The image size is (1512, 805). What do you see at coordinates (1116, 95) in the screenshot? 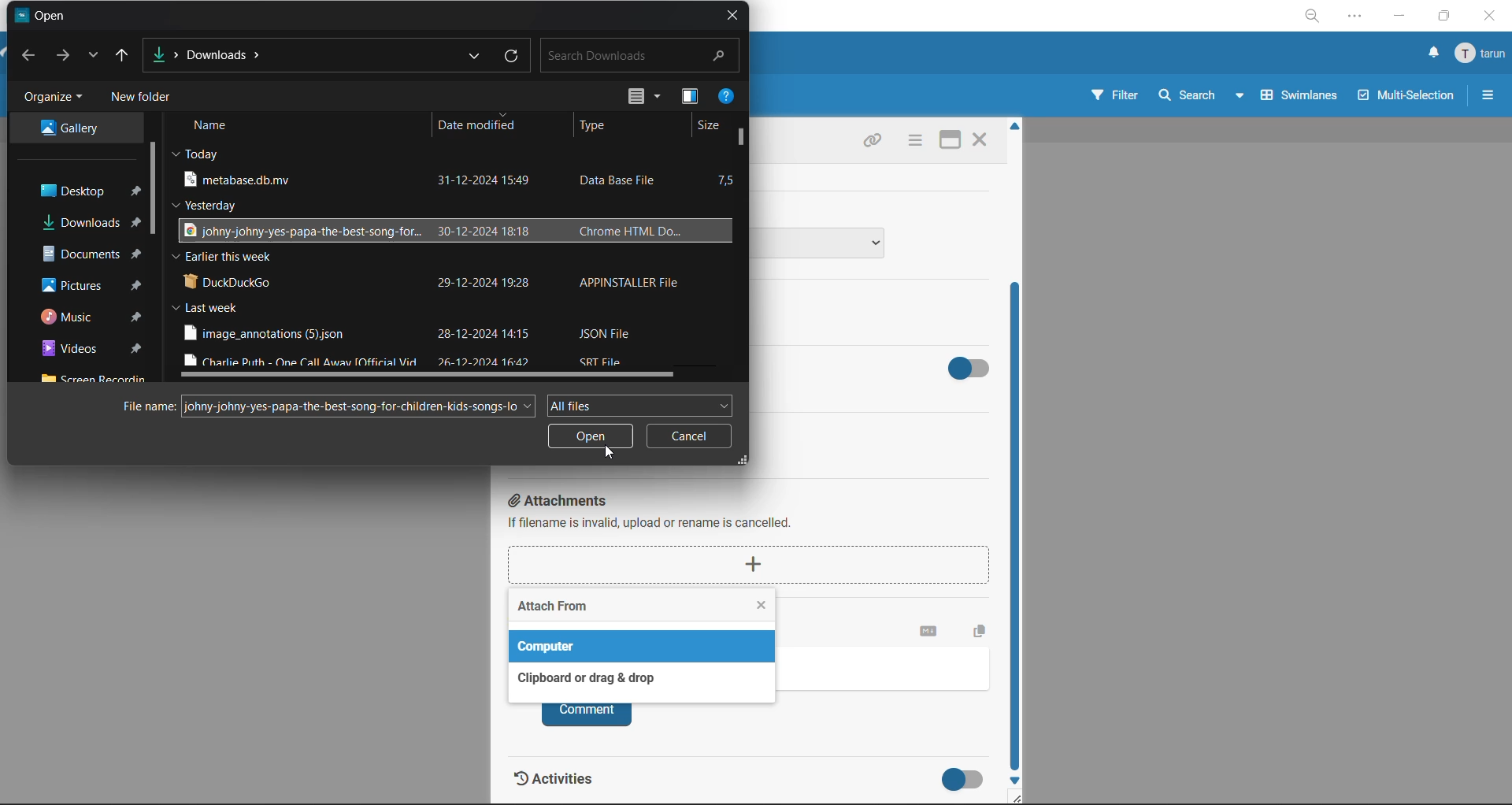
I see `filter` at bounding box center [1116, 95].